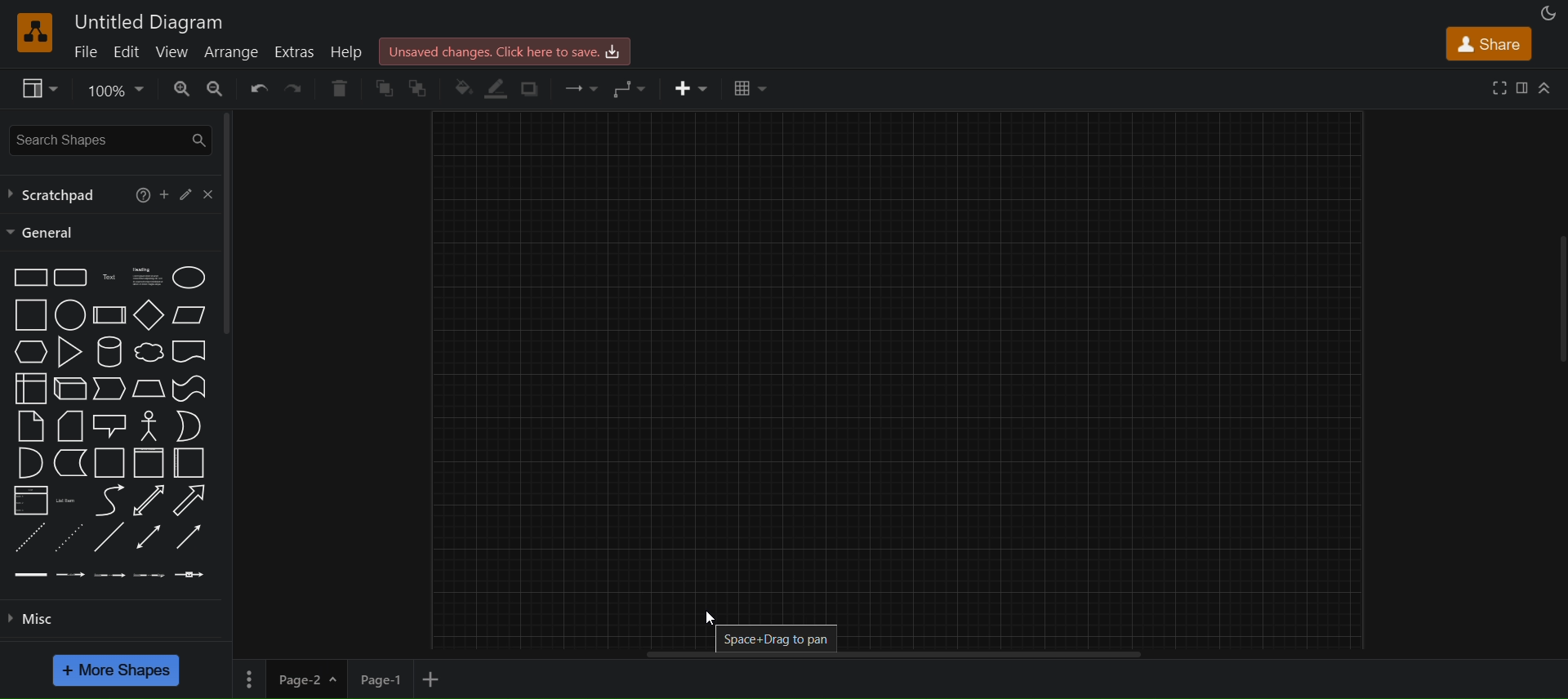 The height and width of the screenshot is (699, 1568). What do you see at coordinates (154, 24) in the screenshot?
I see `utitled diagram` at bounding box center [154, 24].